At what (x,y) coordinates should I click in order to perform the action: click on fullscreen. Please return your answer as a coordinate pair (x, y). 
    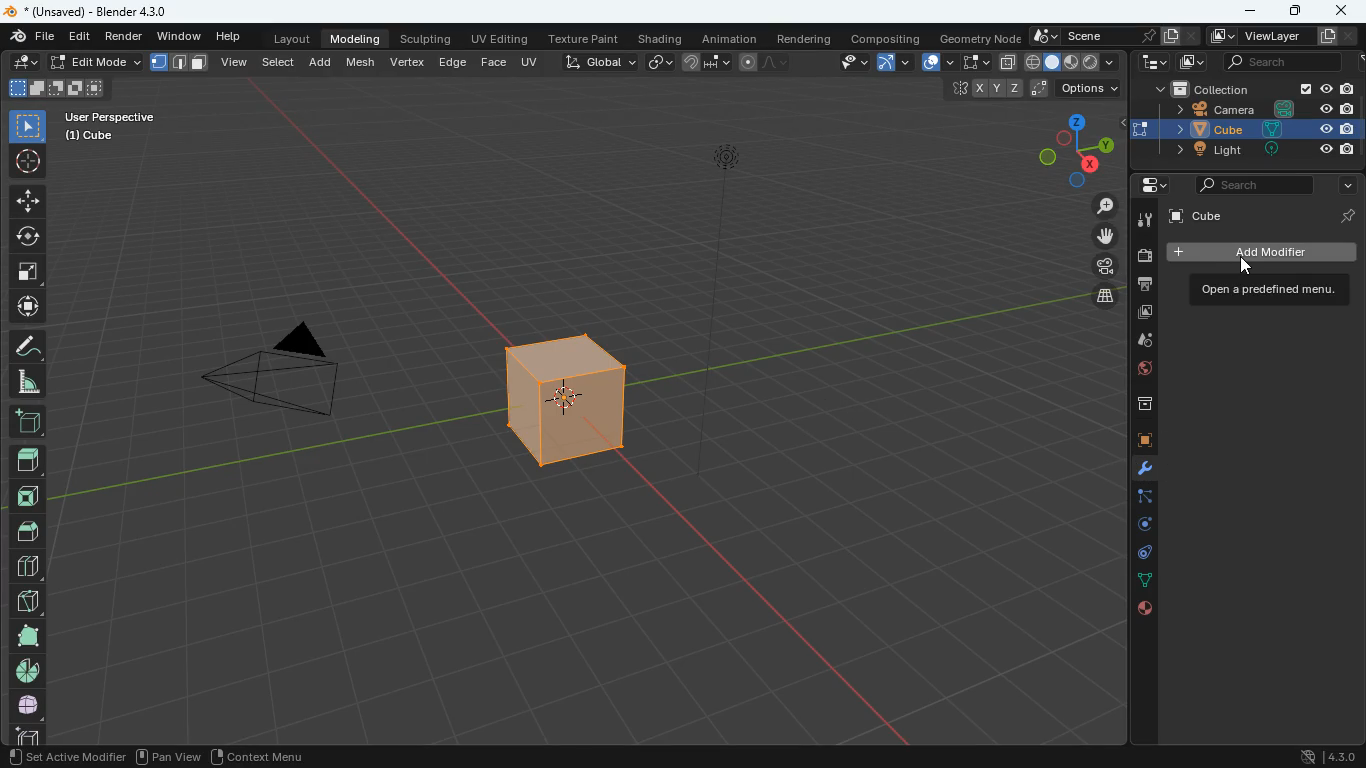
    Looking at the image, I should click on (29, 269).